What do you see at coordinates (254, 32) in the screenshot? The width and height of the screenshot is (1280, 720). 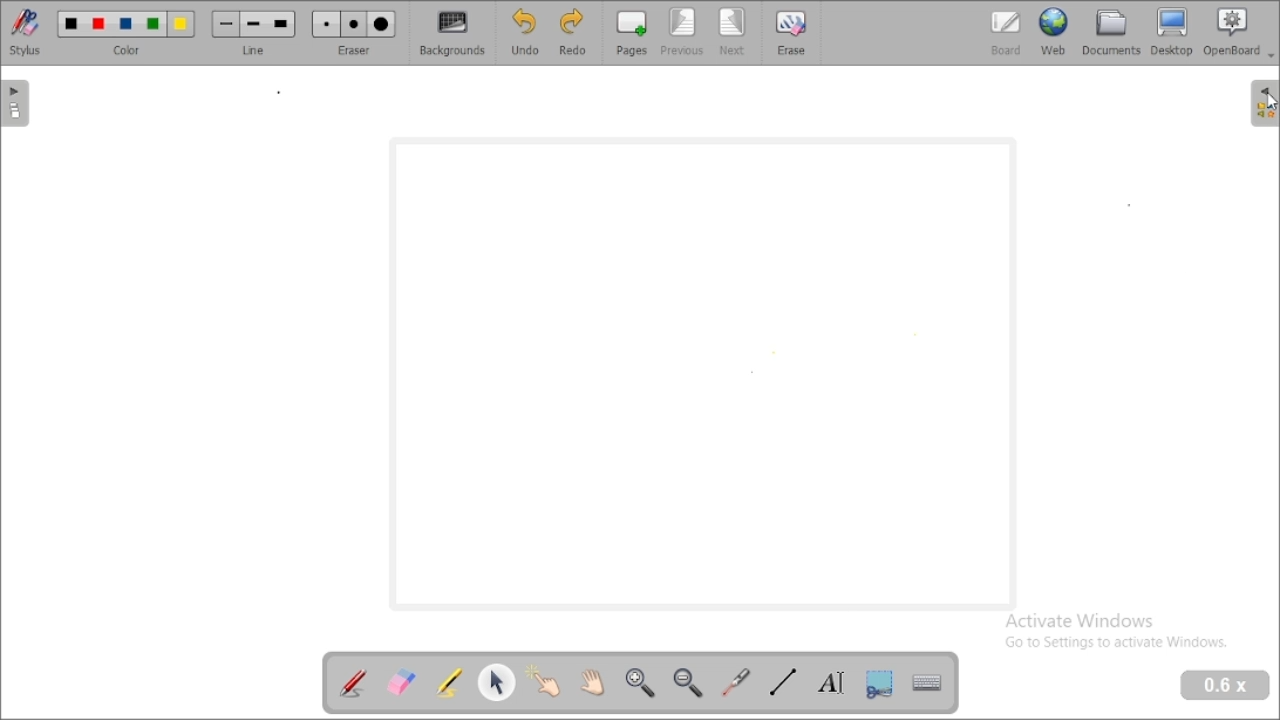 I see `line` at bounding box center [254, 32].